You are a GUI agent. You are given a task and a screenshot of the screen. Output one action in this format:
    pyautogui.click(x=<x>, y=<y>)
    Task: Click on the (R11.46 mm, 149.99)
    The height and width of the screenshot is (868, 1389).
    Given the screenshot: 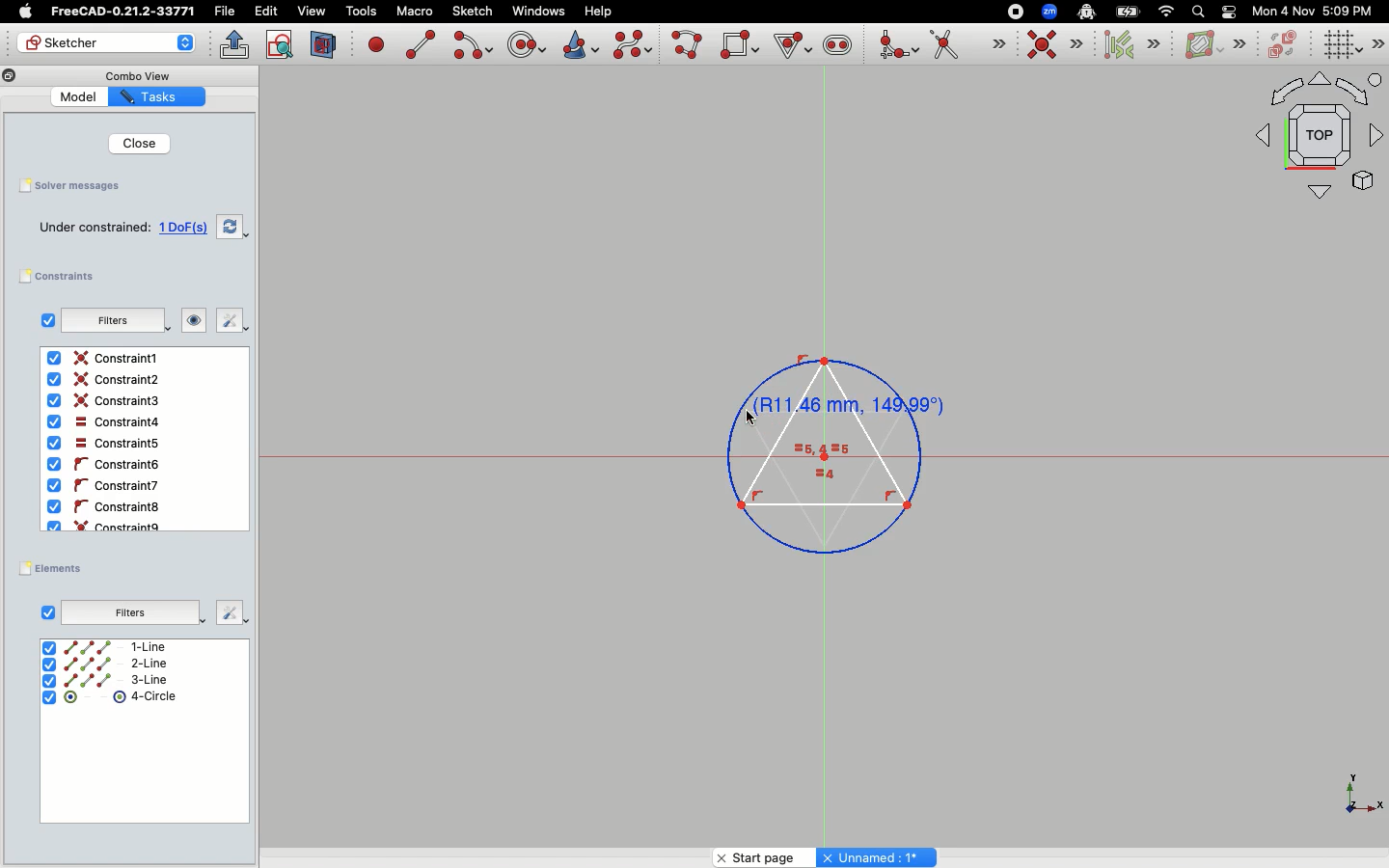 What is the action you would take?
    pyautogui.click(x=830, y=450)
    